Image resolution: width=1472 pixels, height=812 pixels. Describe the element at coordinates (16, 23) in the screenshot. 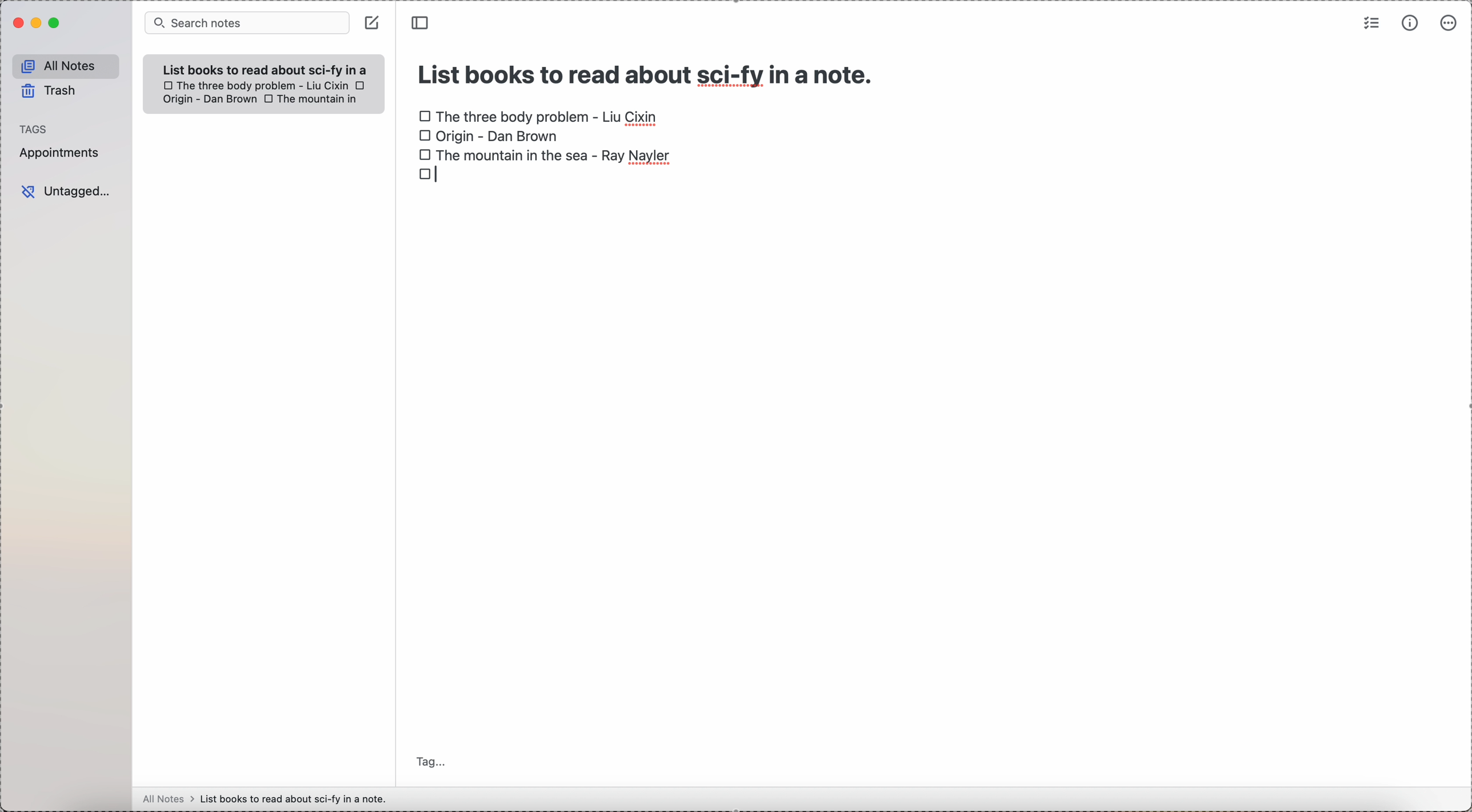

I see `close Simplenote` at that location.